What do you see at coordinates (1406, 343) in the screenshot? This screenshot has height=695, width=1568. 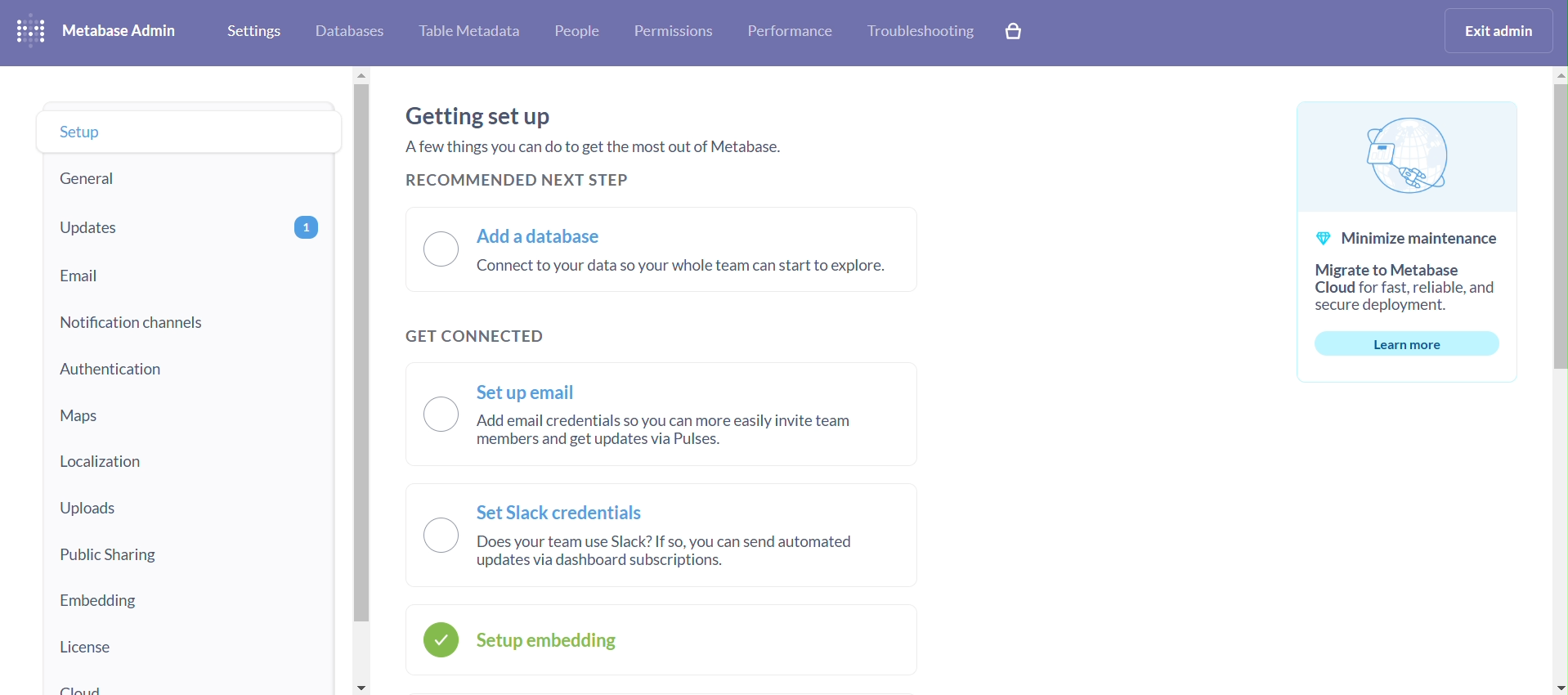 I see `Learn more` at bounding box center [1406, 343].